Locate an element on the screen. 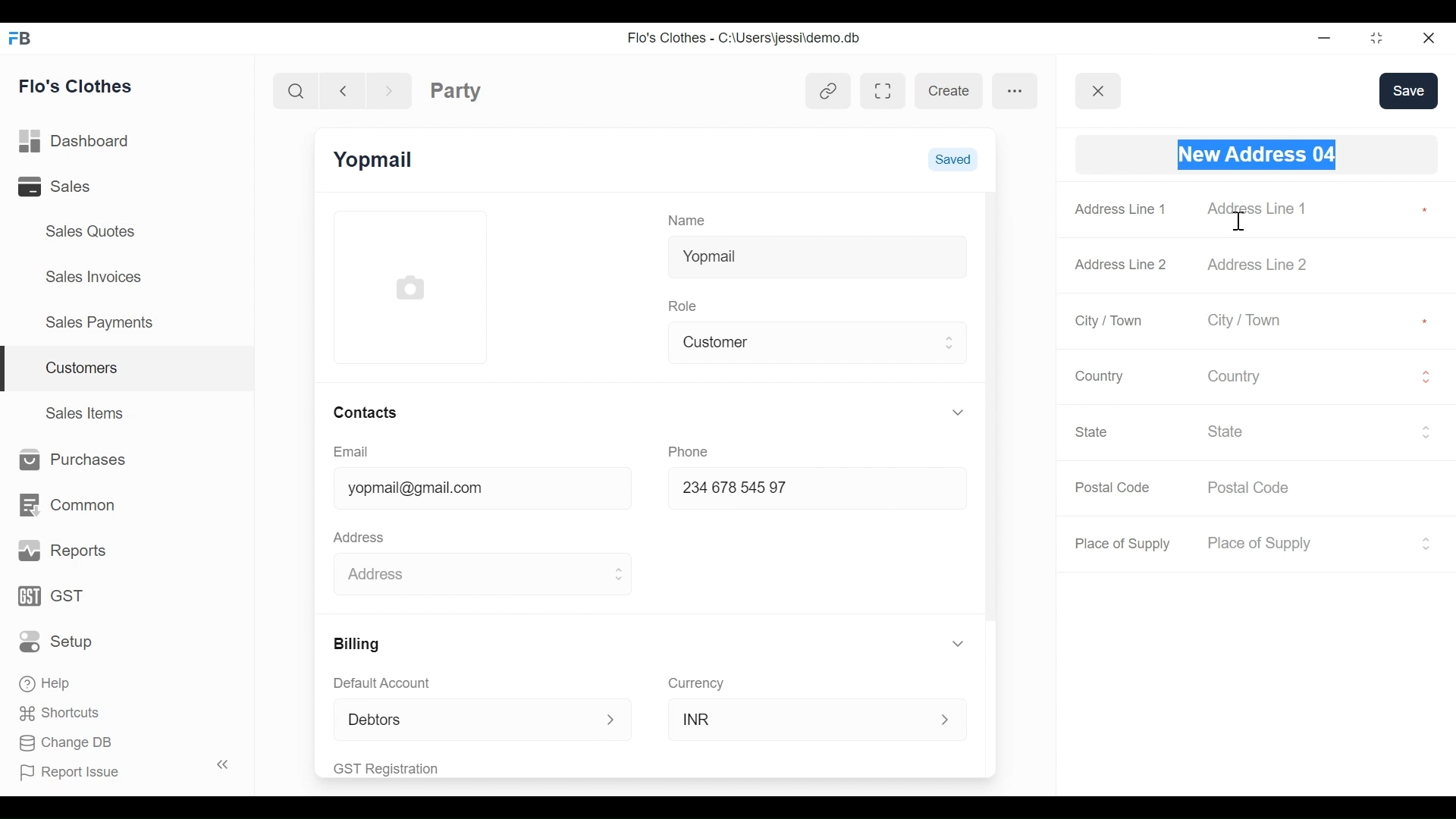  Customer is located at coordinates (806, 340).